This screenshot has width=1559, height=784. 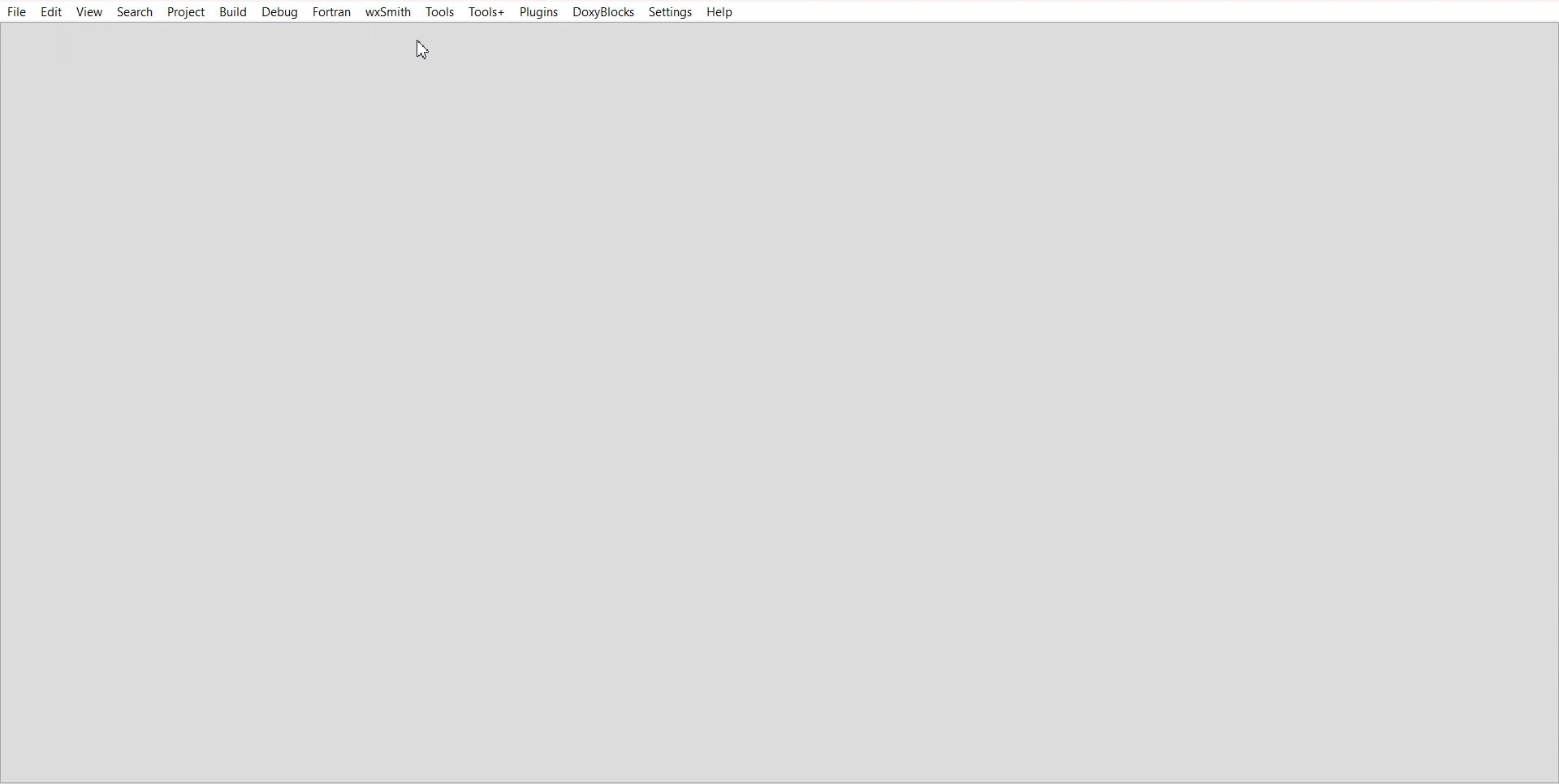 I want to click on Debug, so click(x=281, y=13).